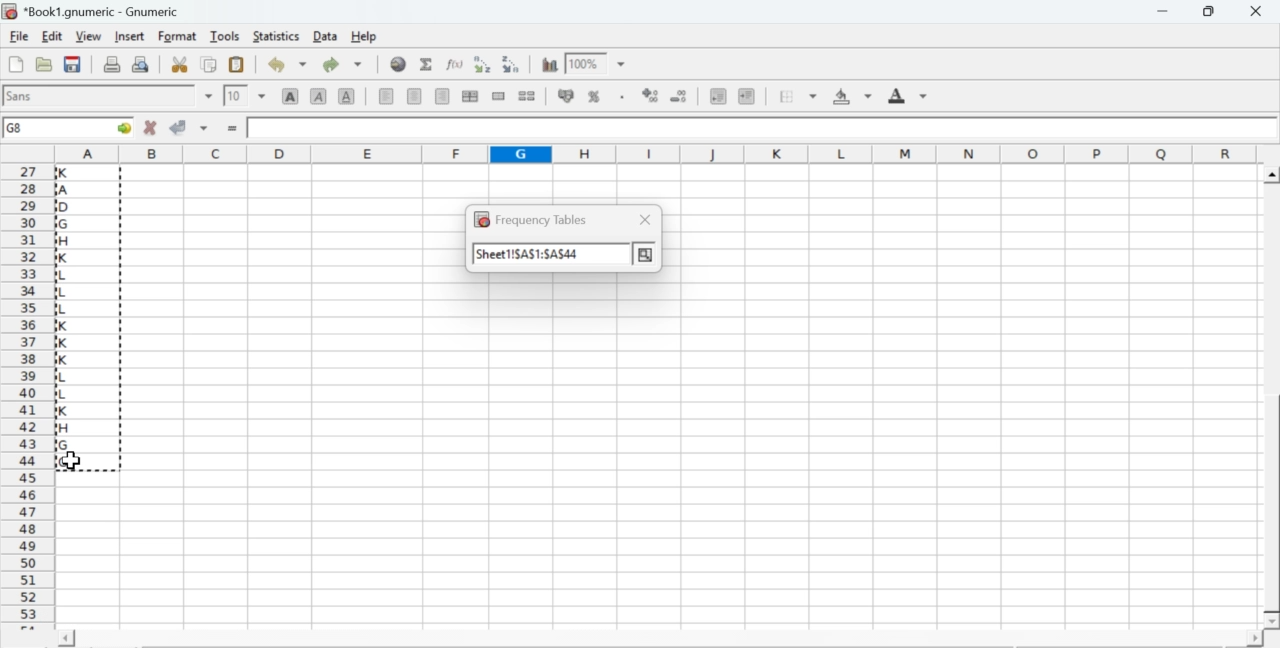 The height and width of the screenshot is (648, 1280). Describe the element at coordinates (73, 319) in the screenshot. I see `alphabets` at that location.